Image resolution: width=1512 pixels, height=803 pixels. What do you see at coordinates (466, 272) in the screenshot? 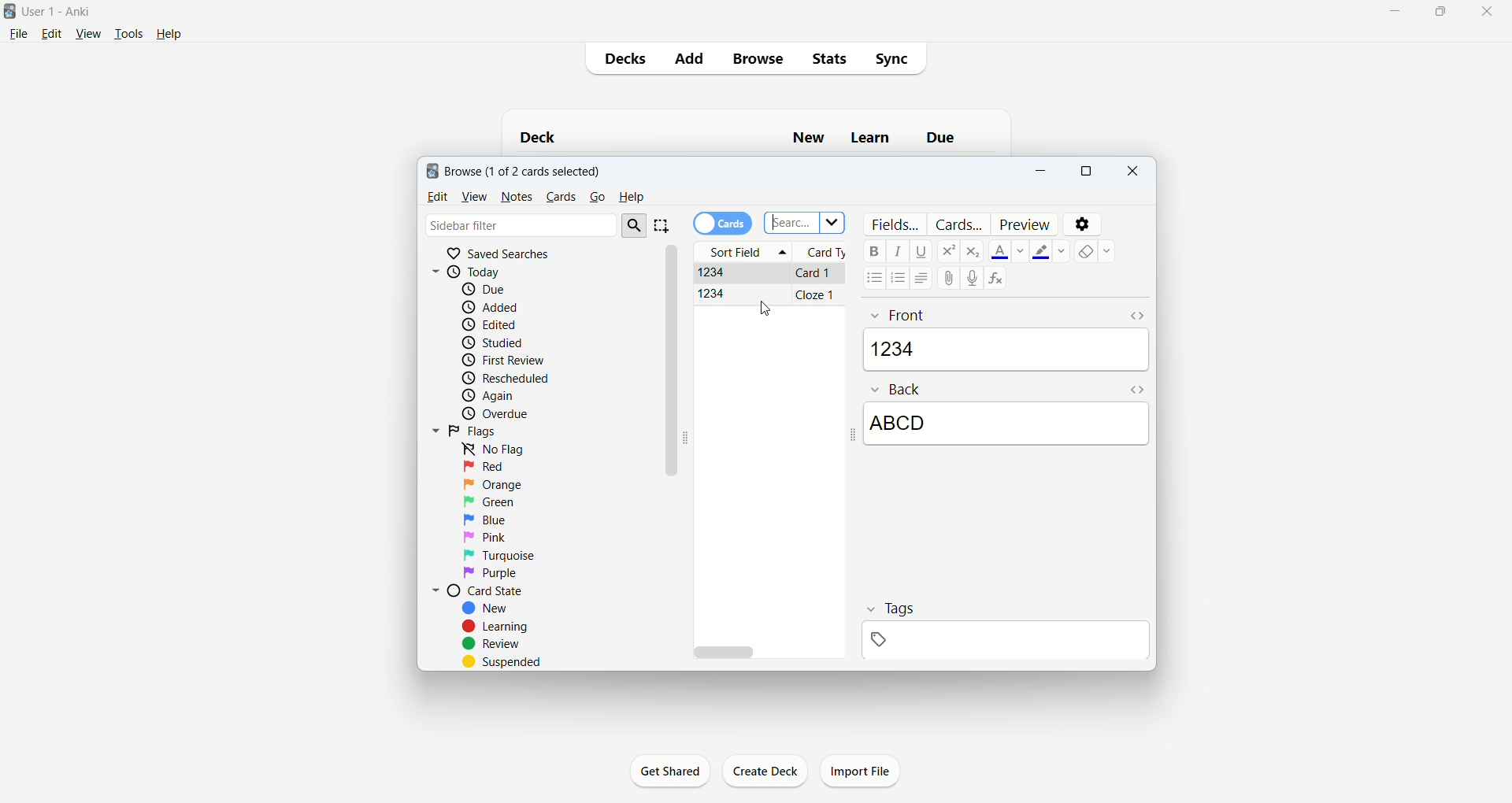
I see `today` at bounding box center [466, 272].